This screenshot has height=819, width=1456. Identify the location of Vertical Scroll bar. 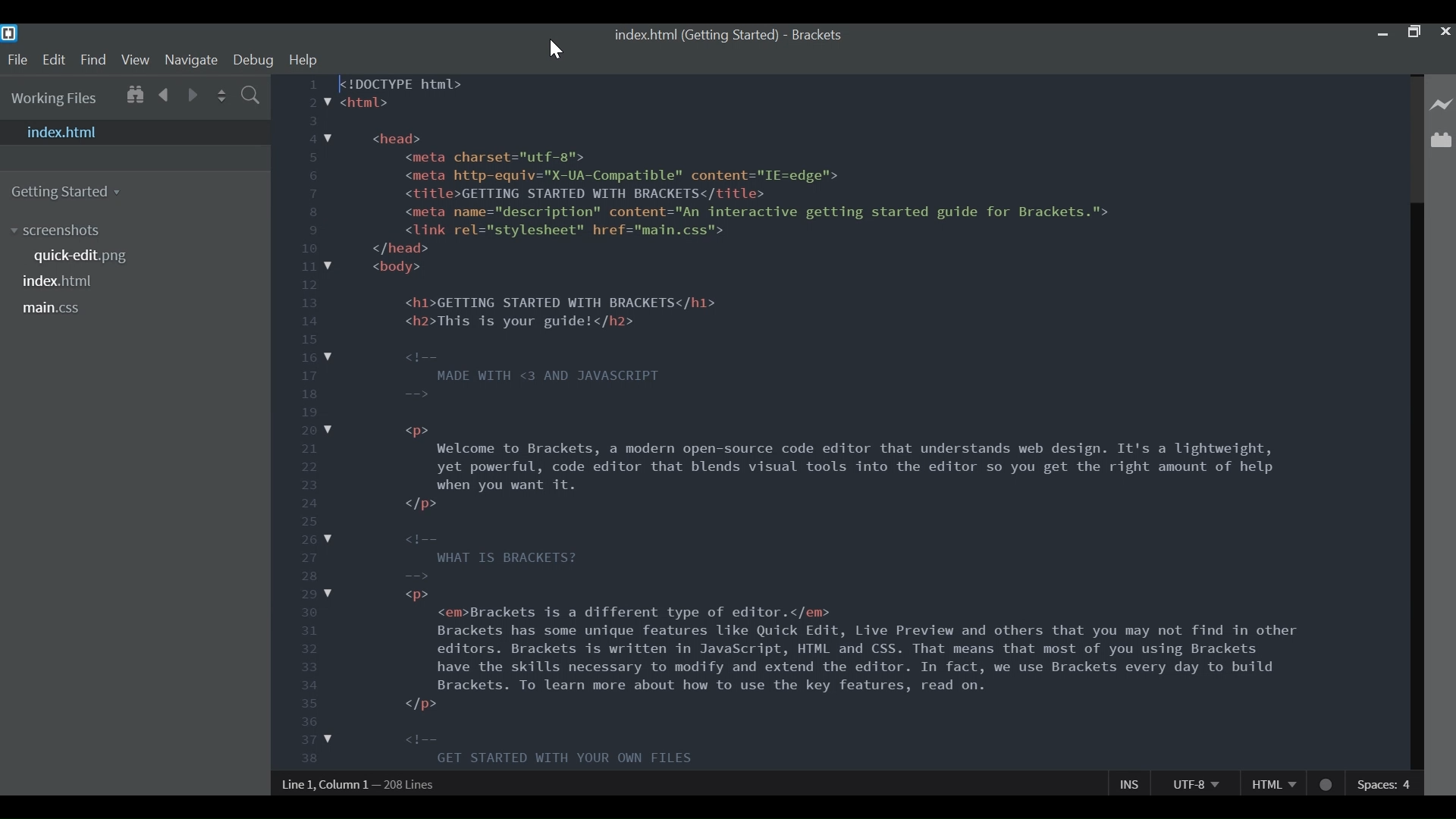
(1416, 423).